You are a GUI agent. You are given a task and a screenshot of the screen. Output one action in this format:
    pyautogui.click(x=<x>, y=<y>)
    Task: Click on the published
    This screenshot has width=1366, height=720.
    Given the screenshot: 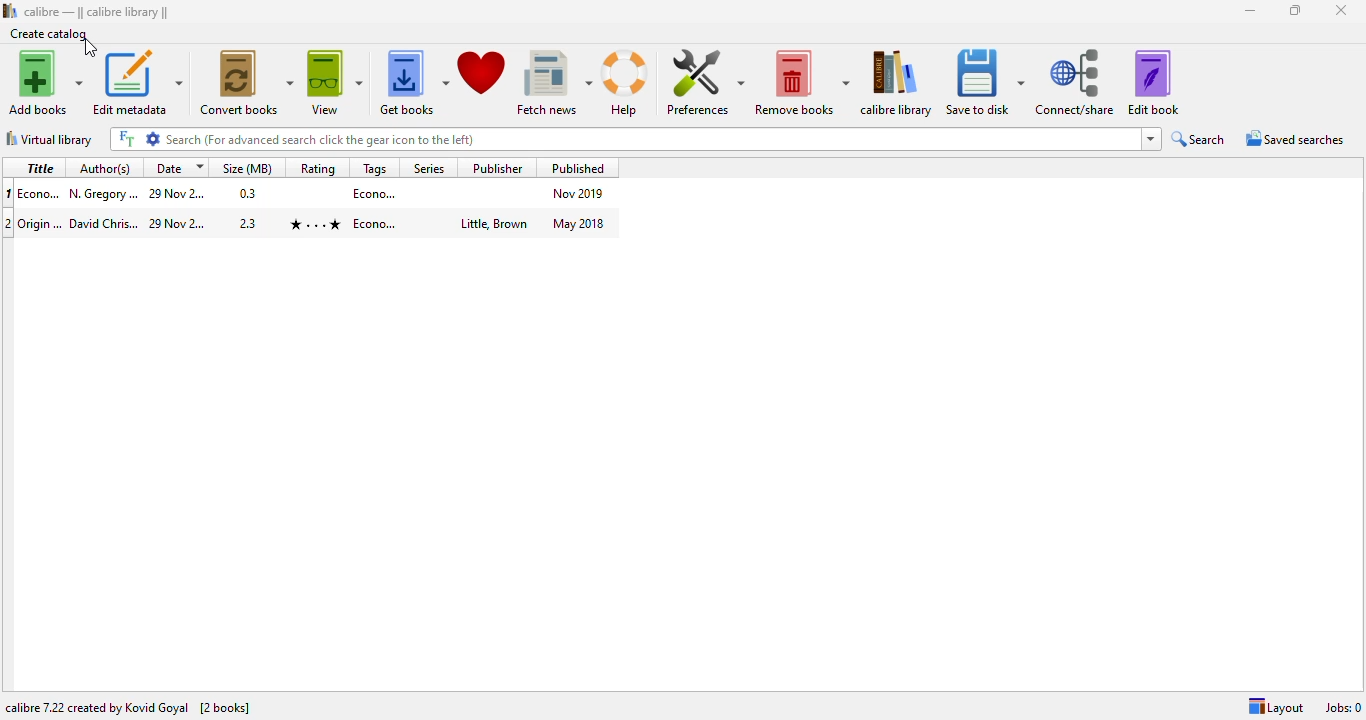 What is the action you would take?
    pyautogui.click(x=579, y=167)
    